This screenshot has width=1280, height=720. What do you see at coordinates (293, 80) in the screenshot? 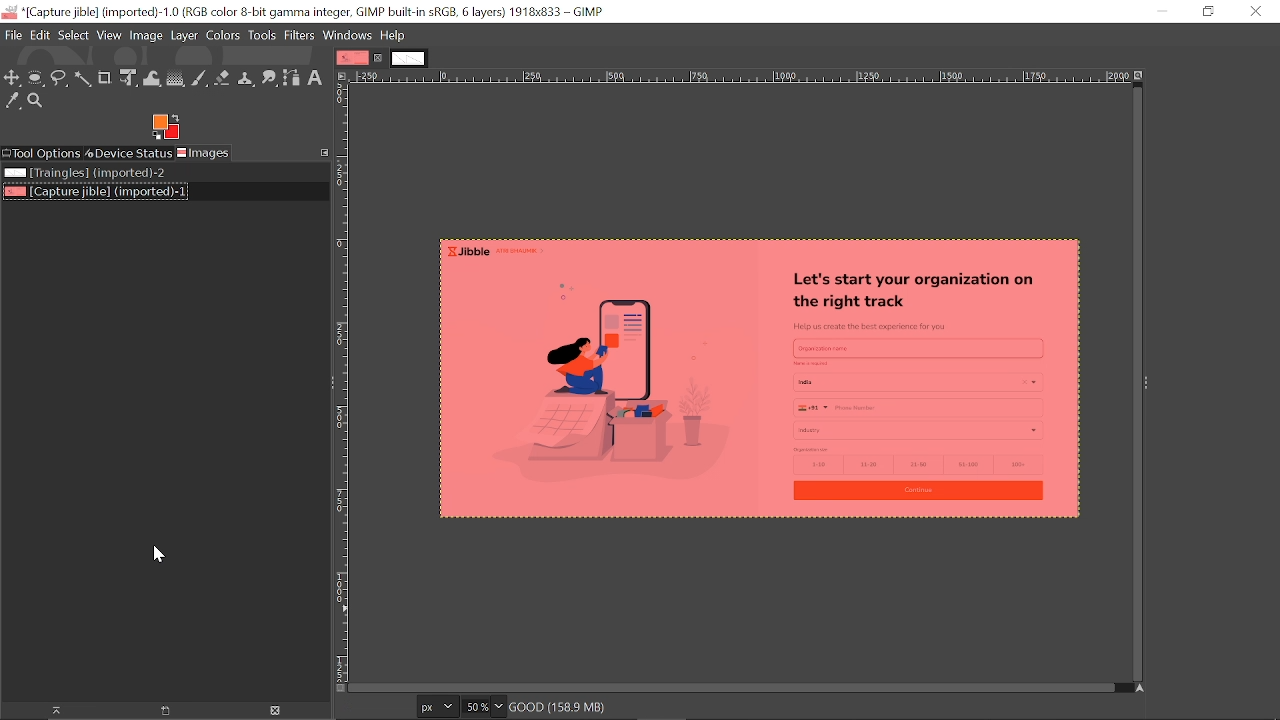
I see `Path tool` at bounding box center [293, 80].